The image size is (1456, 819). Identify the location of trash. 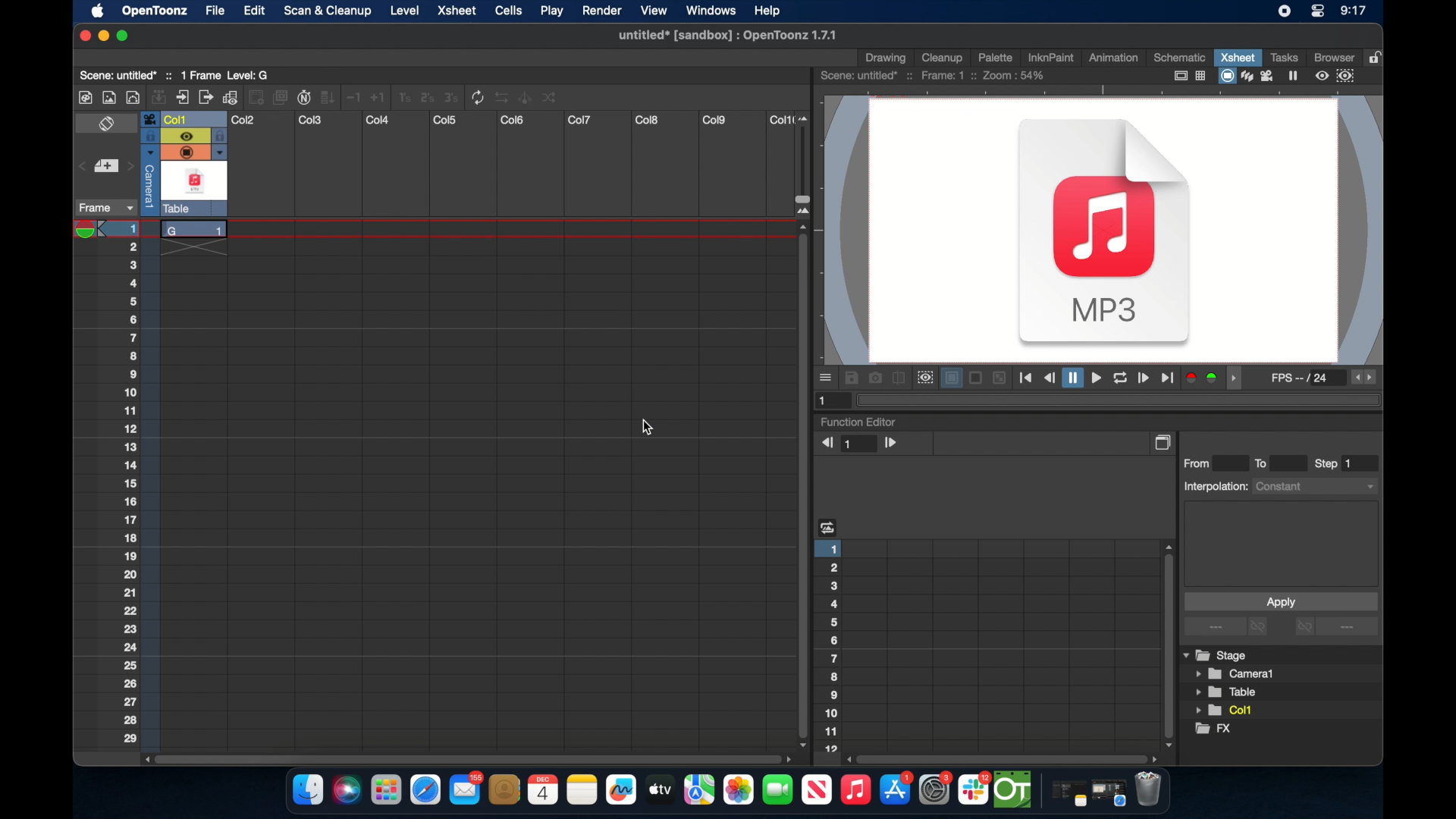
(1148, 791).